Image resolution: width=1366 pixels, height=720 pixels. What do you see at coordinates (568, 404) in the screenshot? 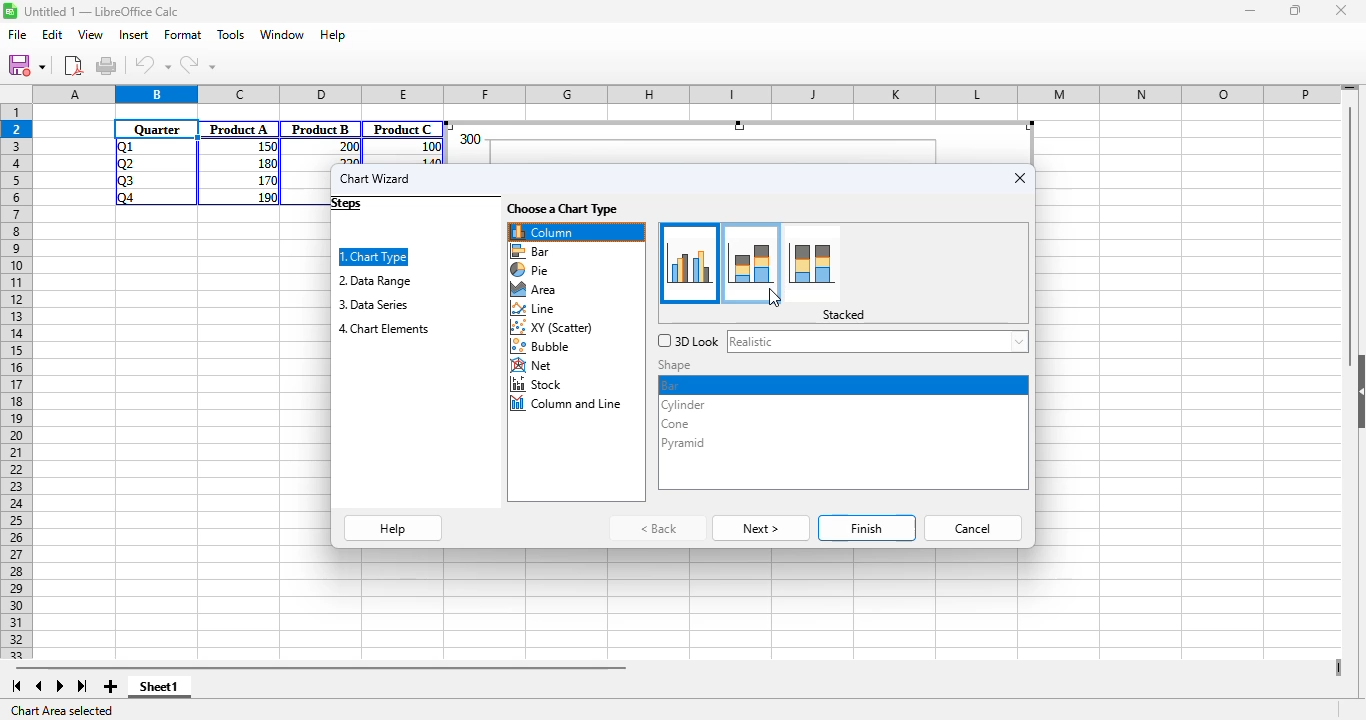
I see `column and line` at bounding box center [568, 404].